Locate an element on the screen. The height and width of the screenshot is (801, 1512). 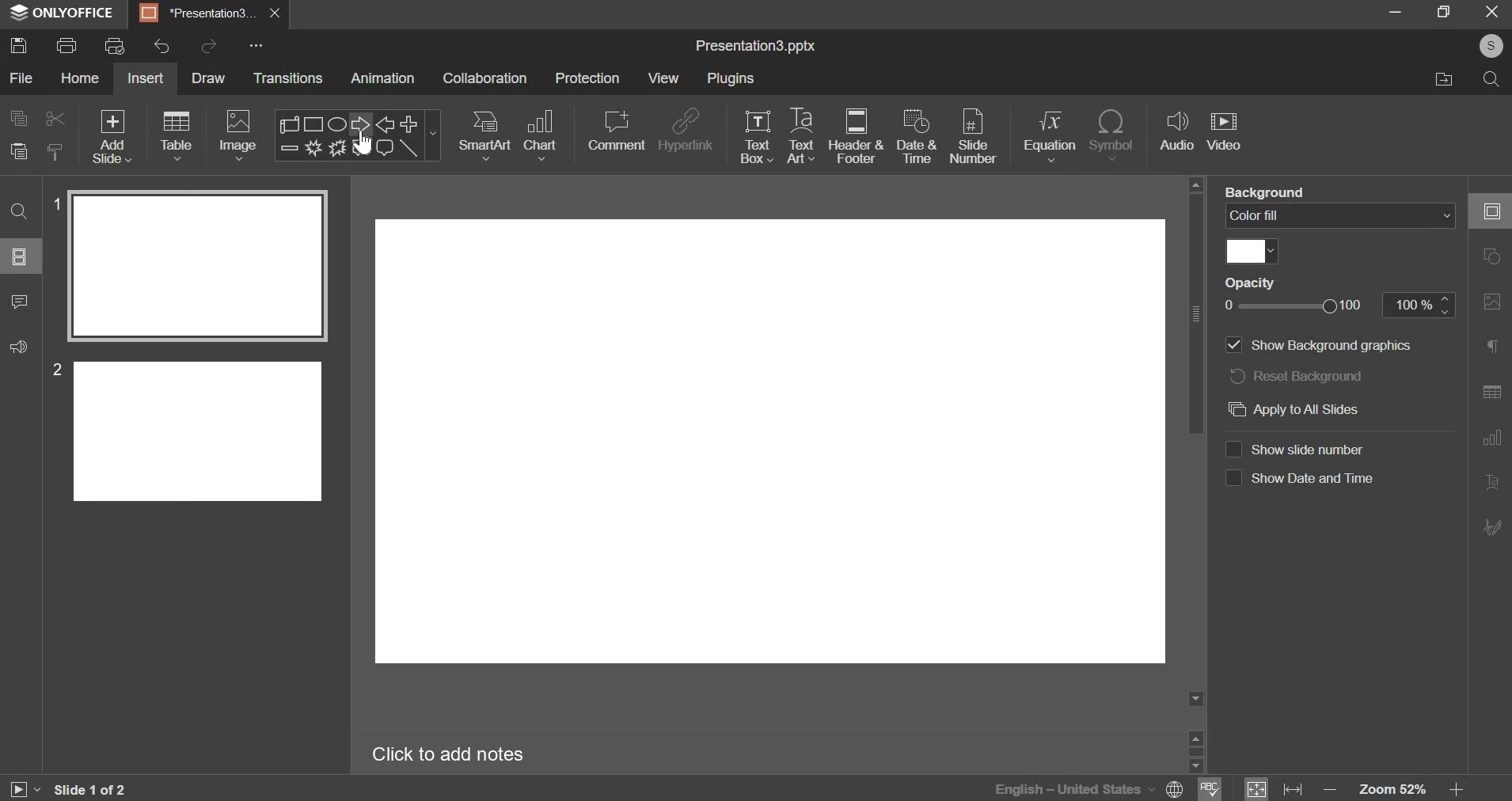
Scroll down is located at coordinates (1195, 699).